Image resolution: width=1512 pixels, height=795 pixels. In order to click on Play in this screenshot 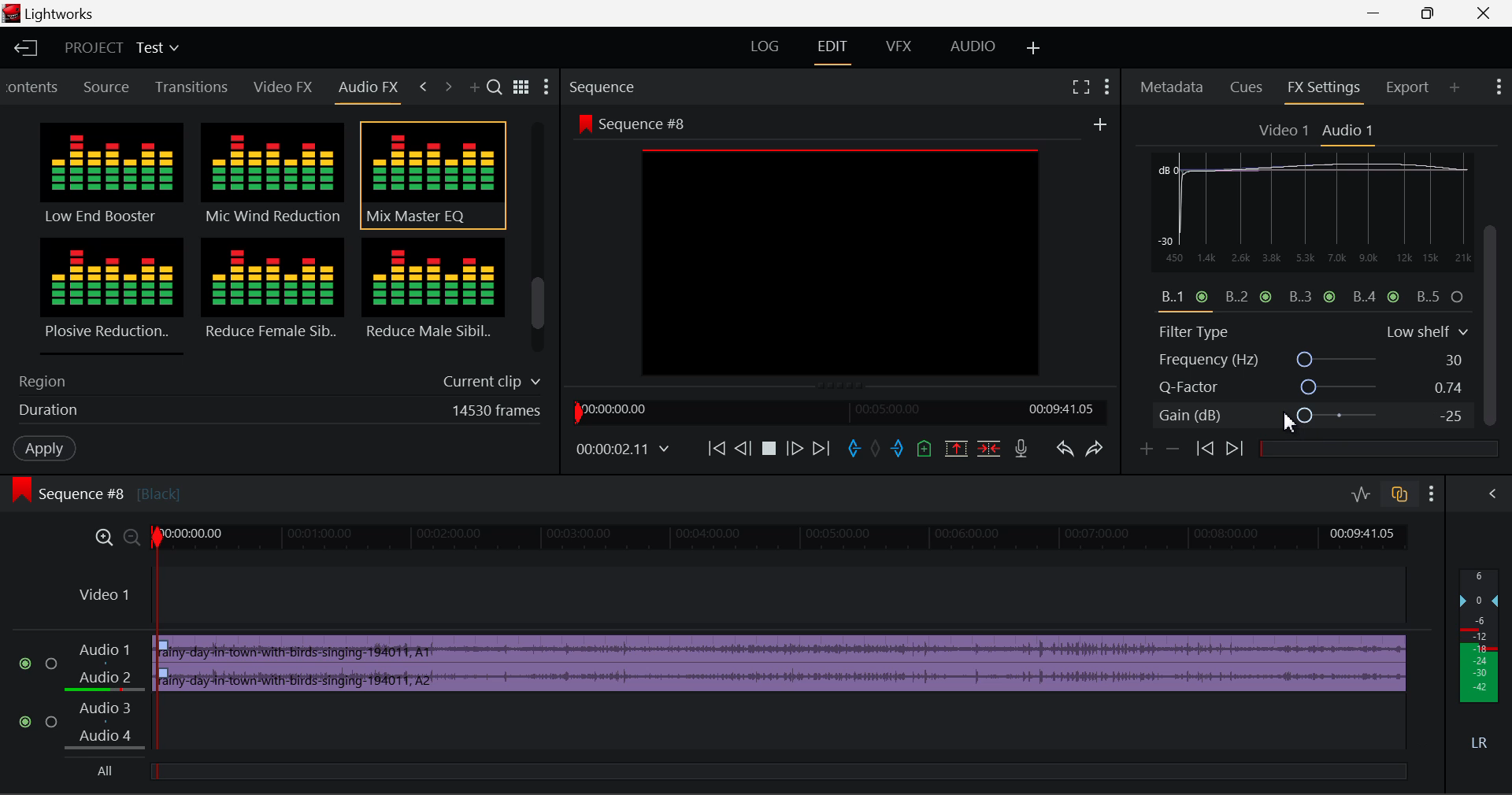, I will do `click(769, 449)`.